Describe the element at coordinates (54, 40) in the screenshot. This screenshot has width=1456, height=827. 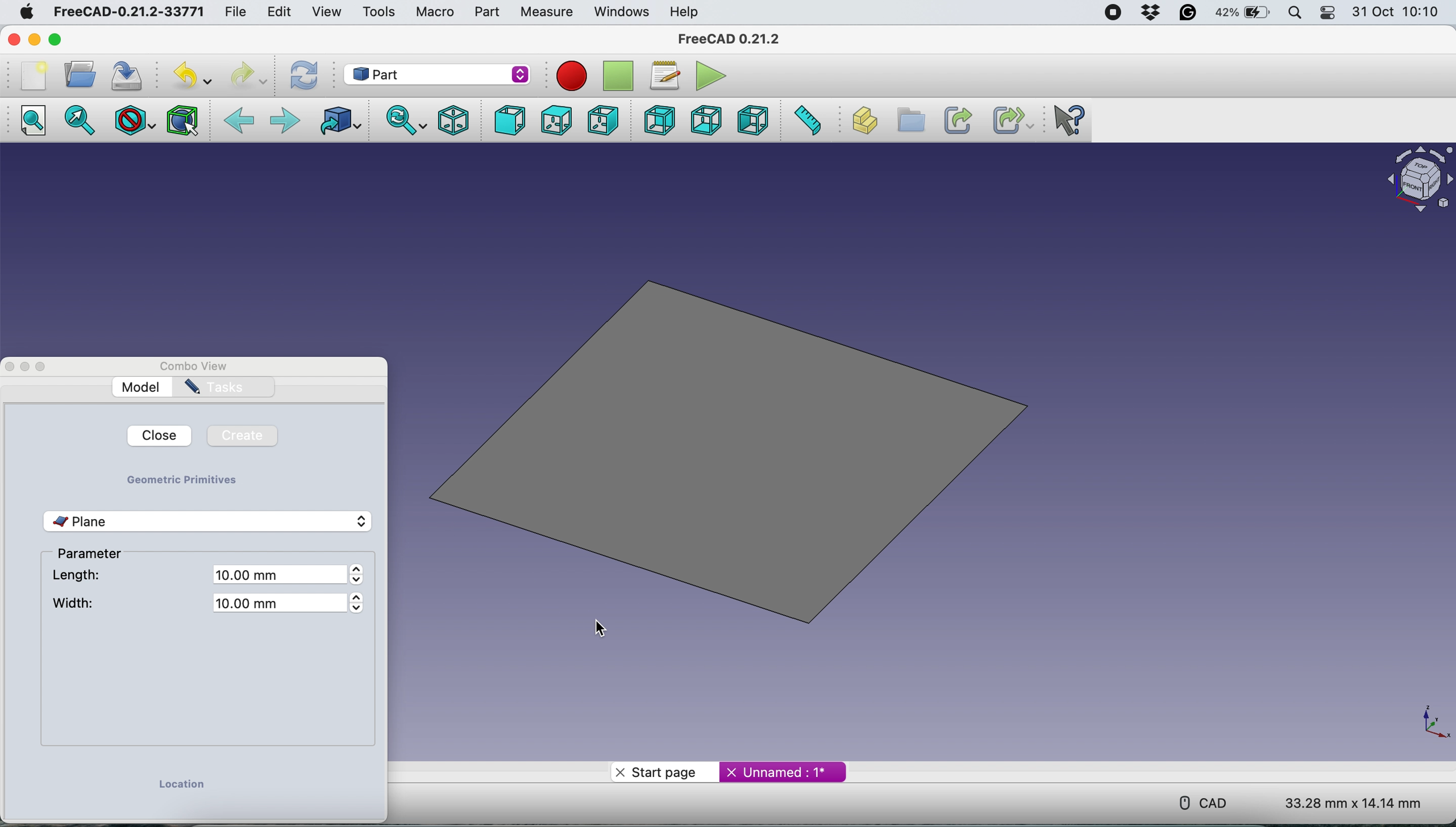
I see `Maximize` at that location.